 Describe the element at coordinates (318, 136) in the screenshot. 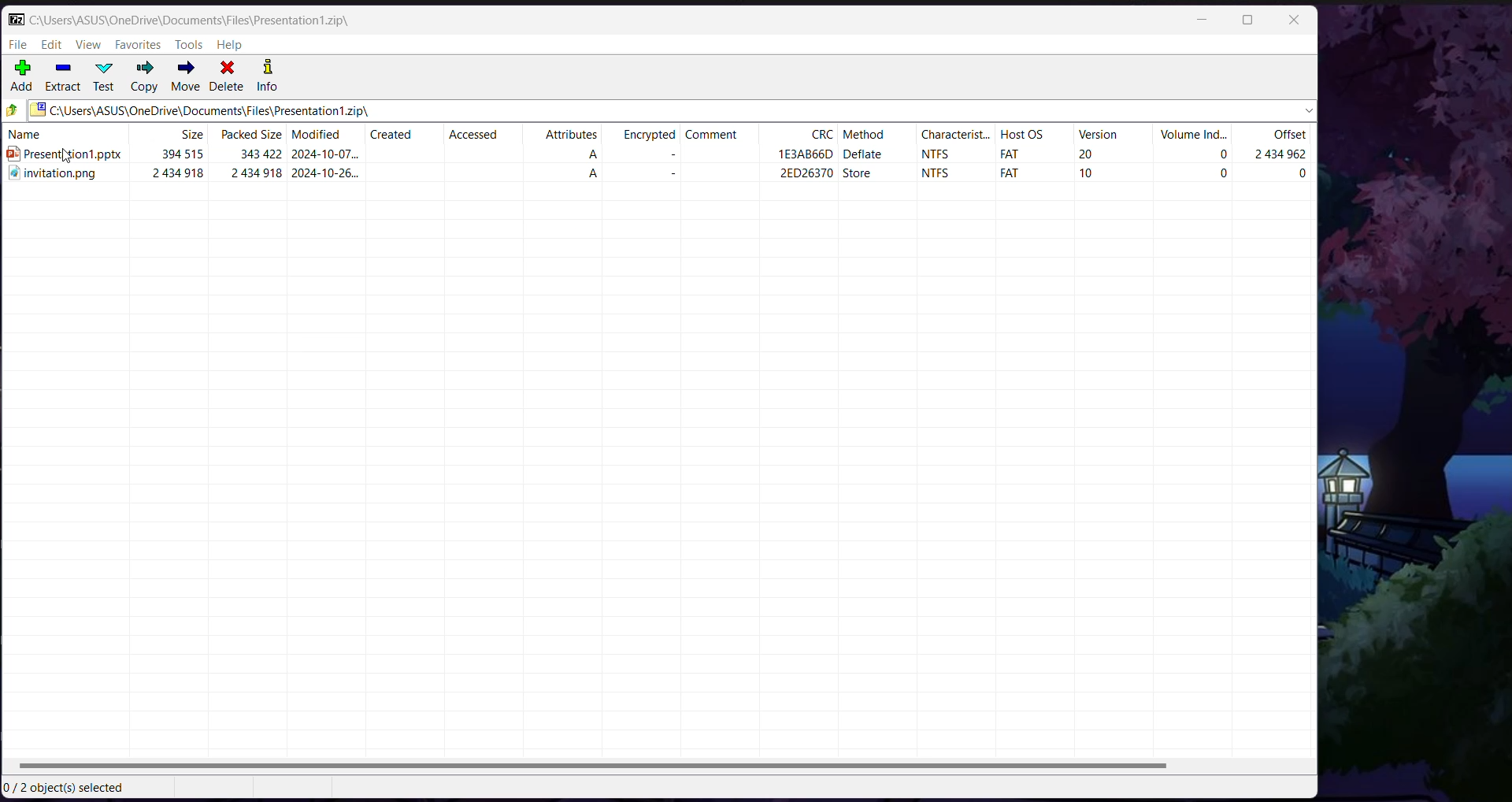

I see `Modified` at that location.